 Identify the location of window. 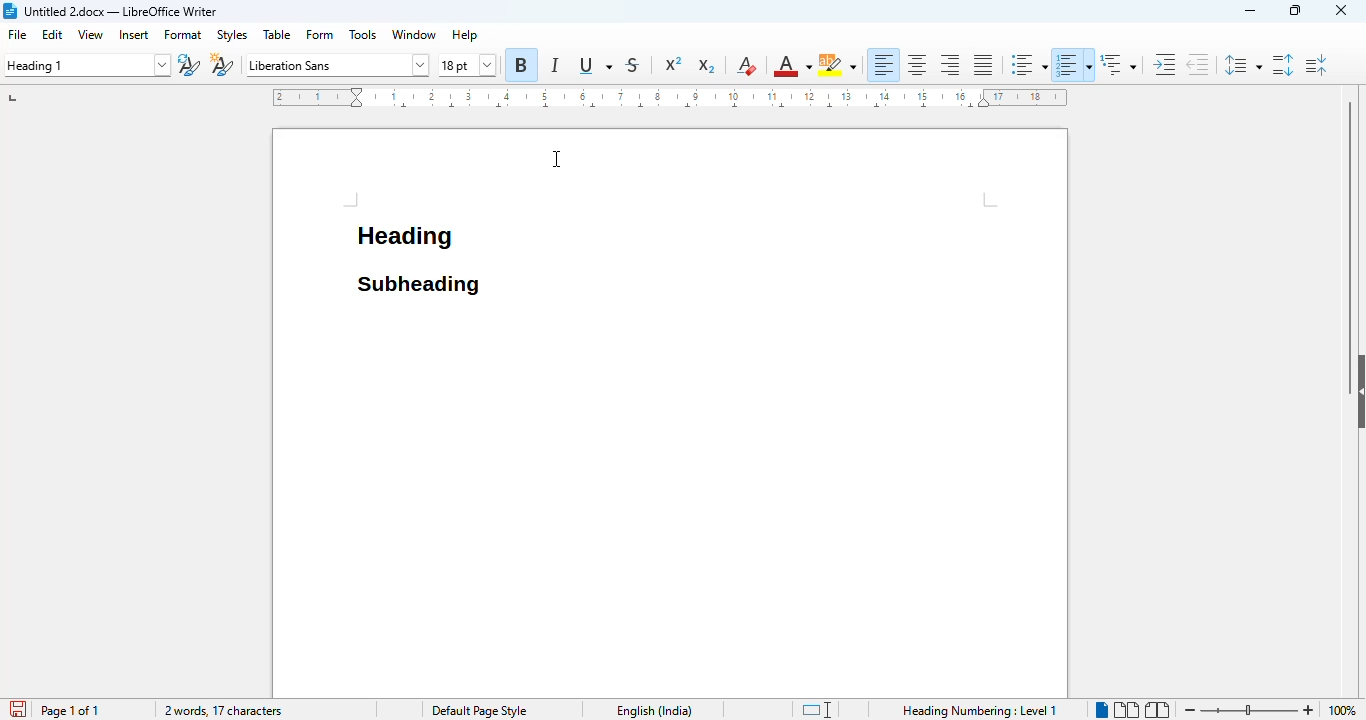
(414, 34).